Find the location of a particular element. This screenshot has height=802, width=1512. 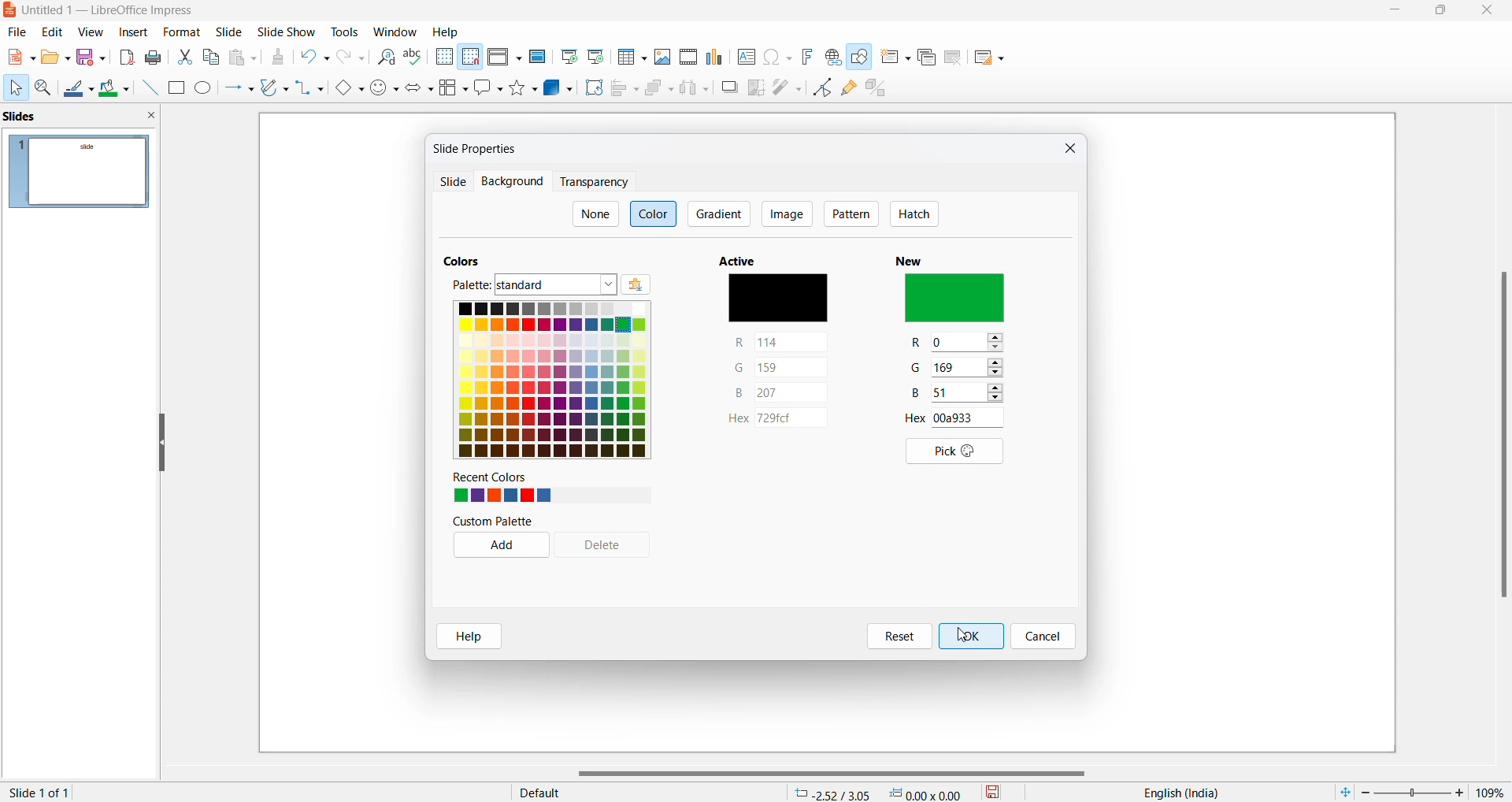

colors heading  is located at coordinates (465, 258).